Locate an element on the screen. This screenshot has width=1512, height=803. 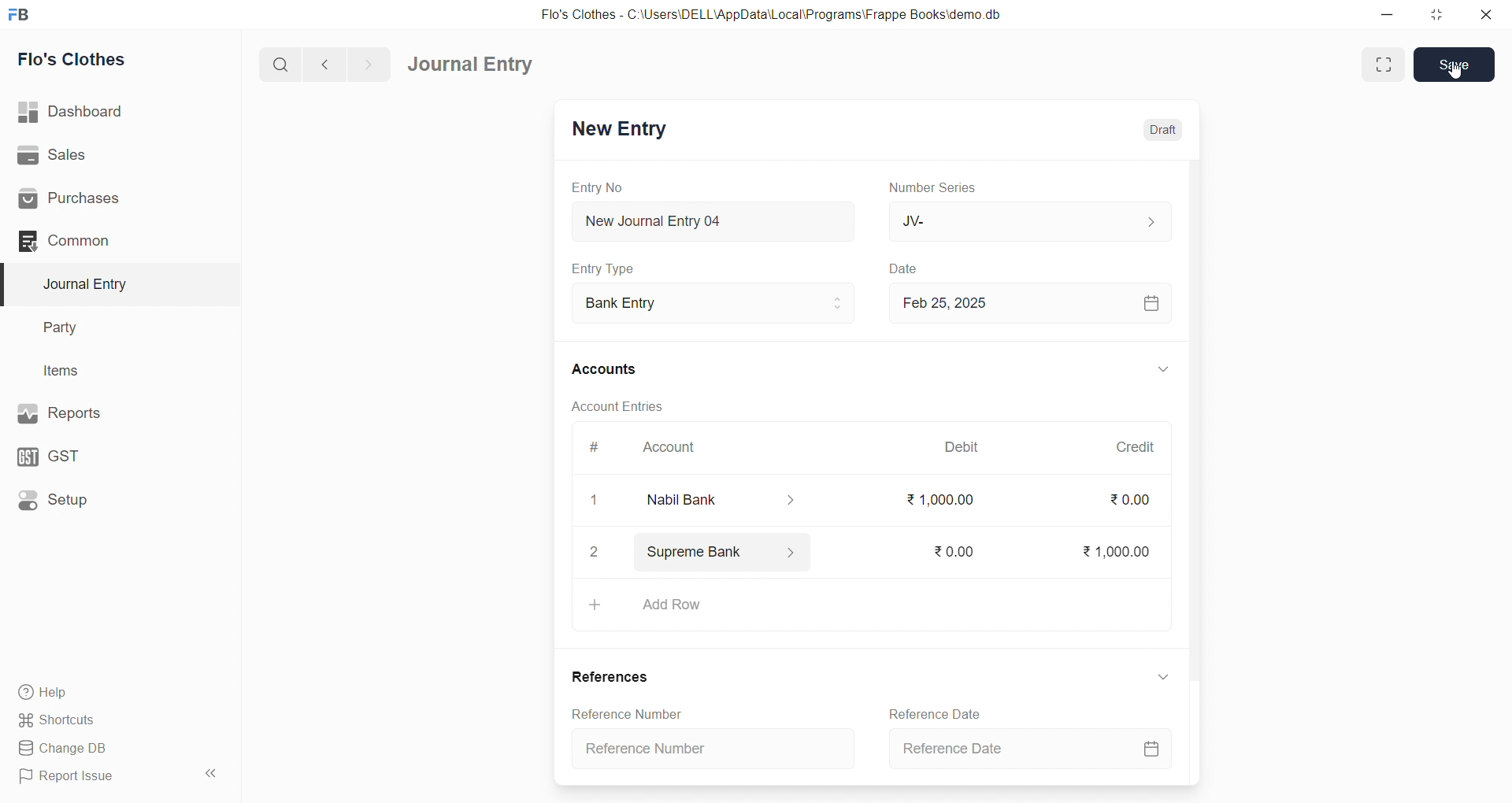
Expand/collapse is located at coordinates (1156, 677).